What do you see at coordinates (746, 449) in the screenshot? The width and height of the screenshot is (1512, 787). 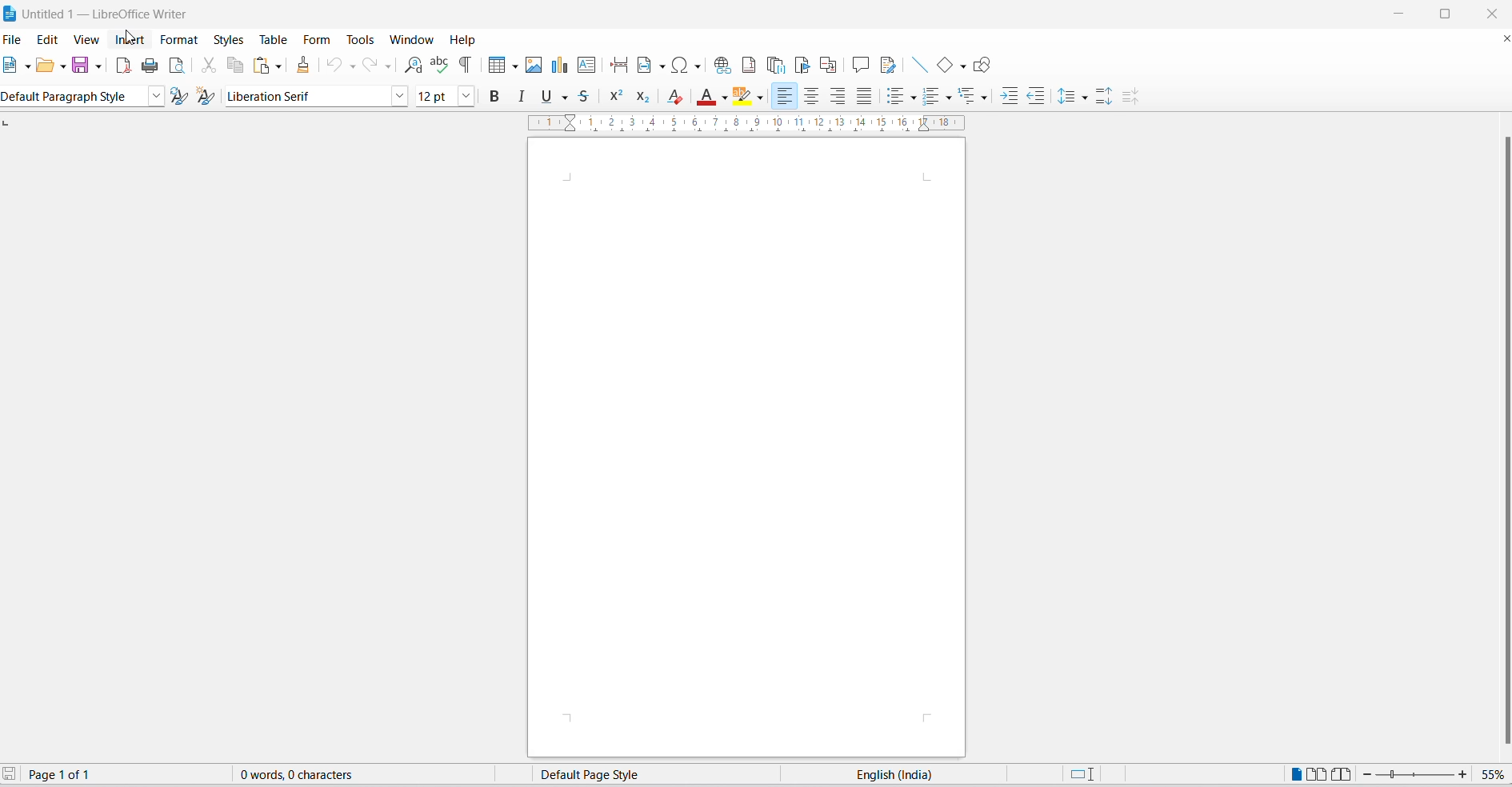 I see `page` at bounding box center [746, 449].